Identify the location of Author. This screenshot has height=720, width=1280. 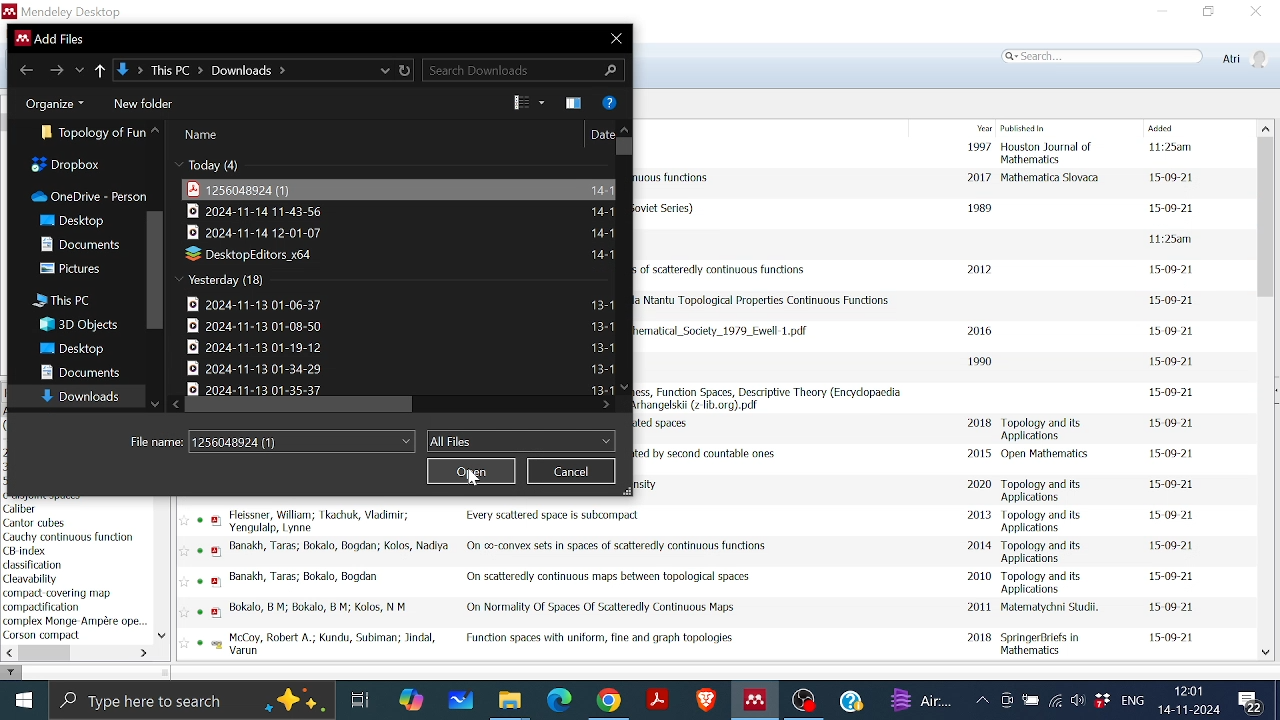
(328, 521).